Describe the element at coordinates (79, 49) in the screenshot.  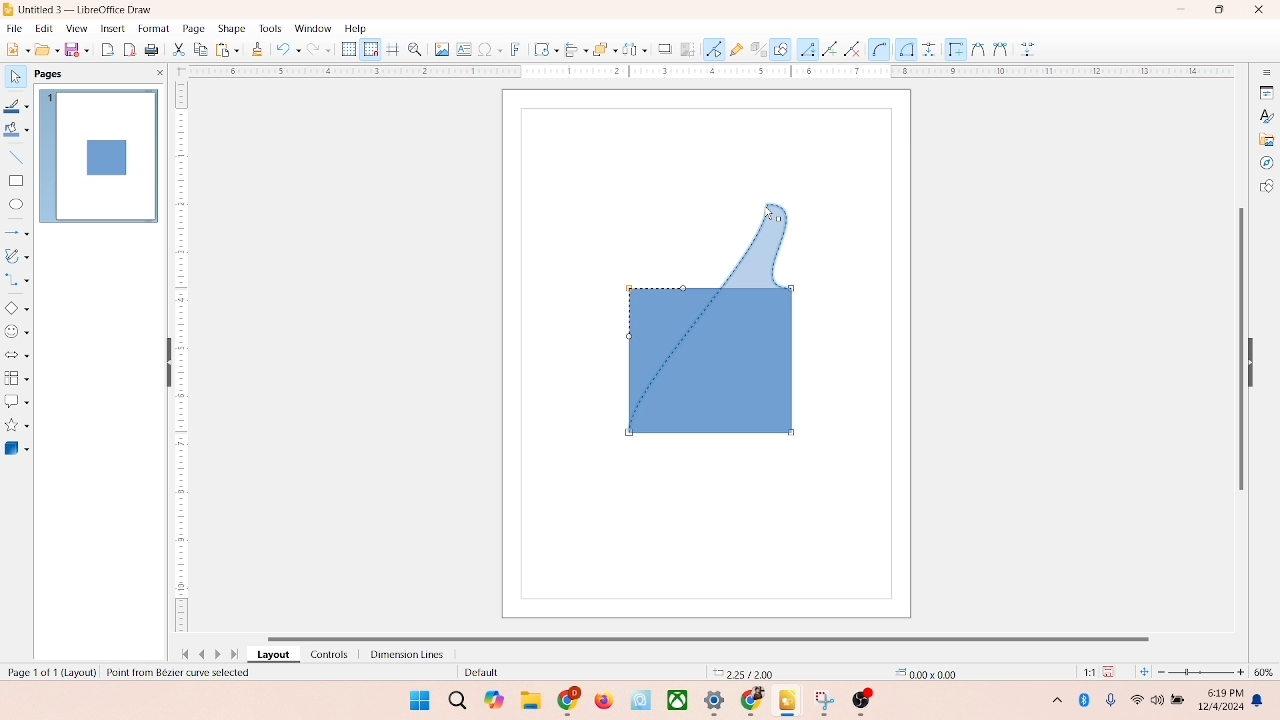
I see `save` at that location.